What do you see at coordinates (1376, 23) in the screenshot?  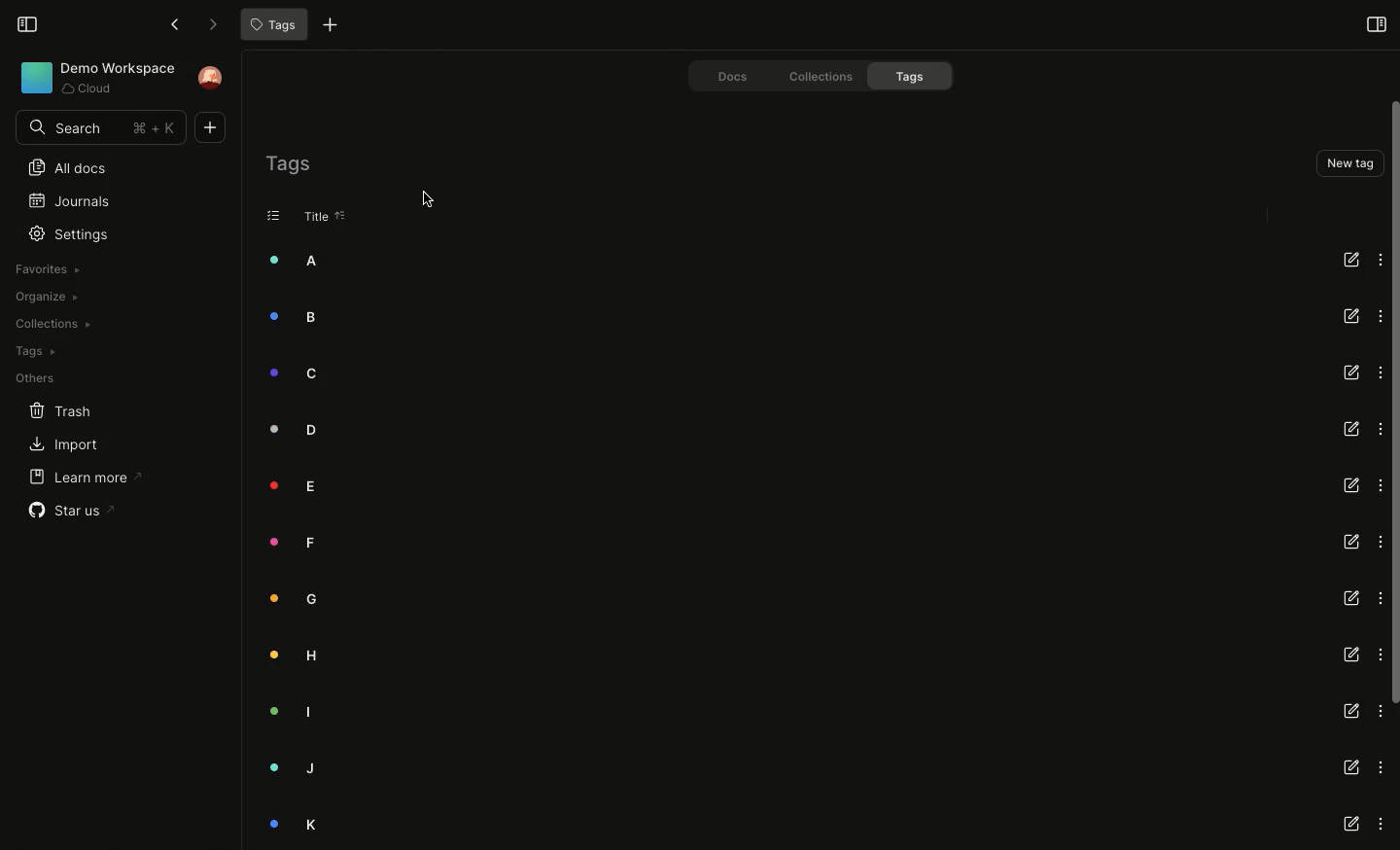 I see `Open right panel` at bounding box center [1376, 23].